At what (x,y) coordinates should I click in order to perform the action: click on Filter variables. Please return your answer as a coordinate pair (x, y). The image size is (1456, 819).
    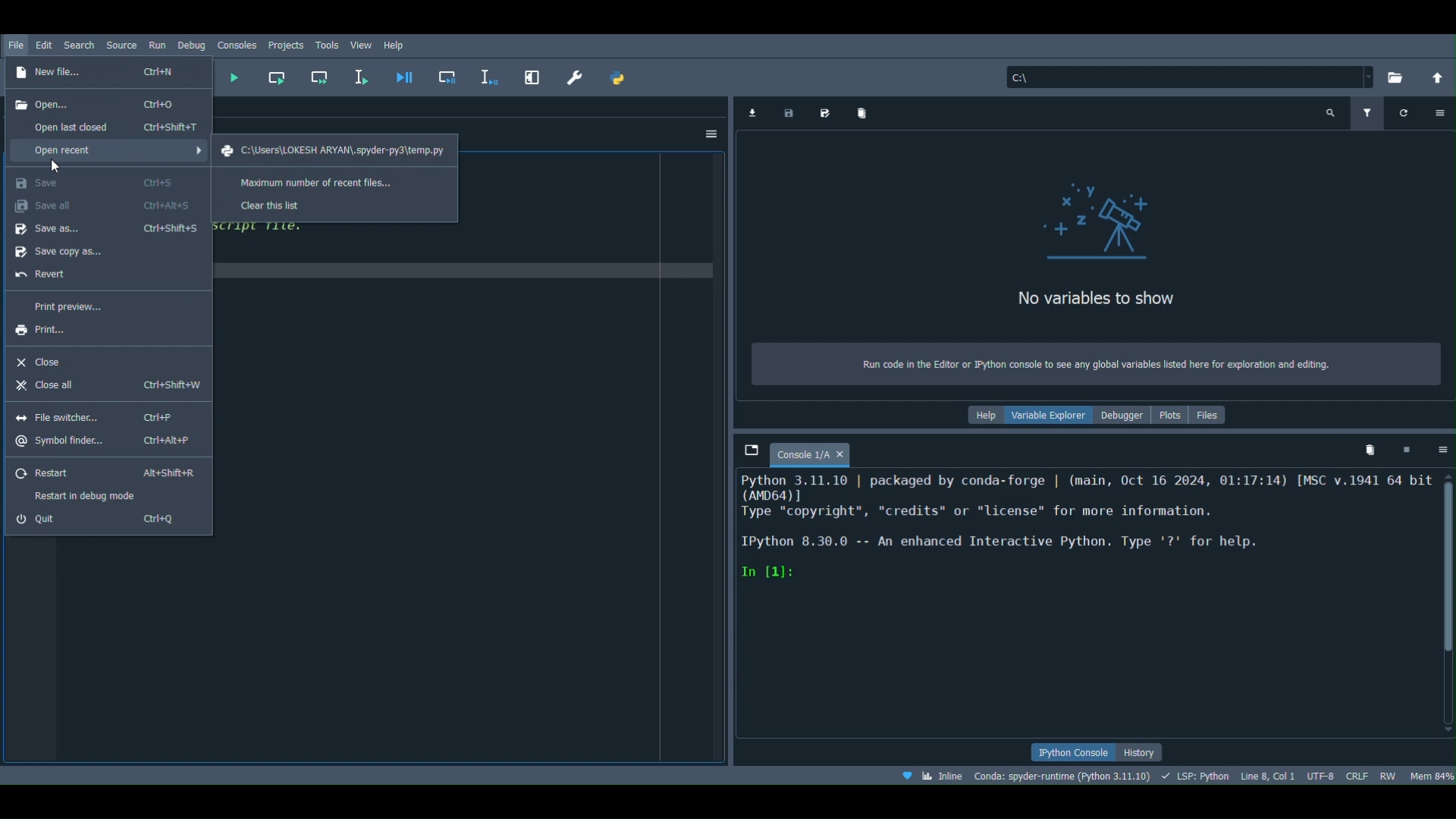
    Looking at the image, I should click on (1367, 111).